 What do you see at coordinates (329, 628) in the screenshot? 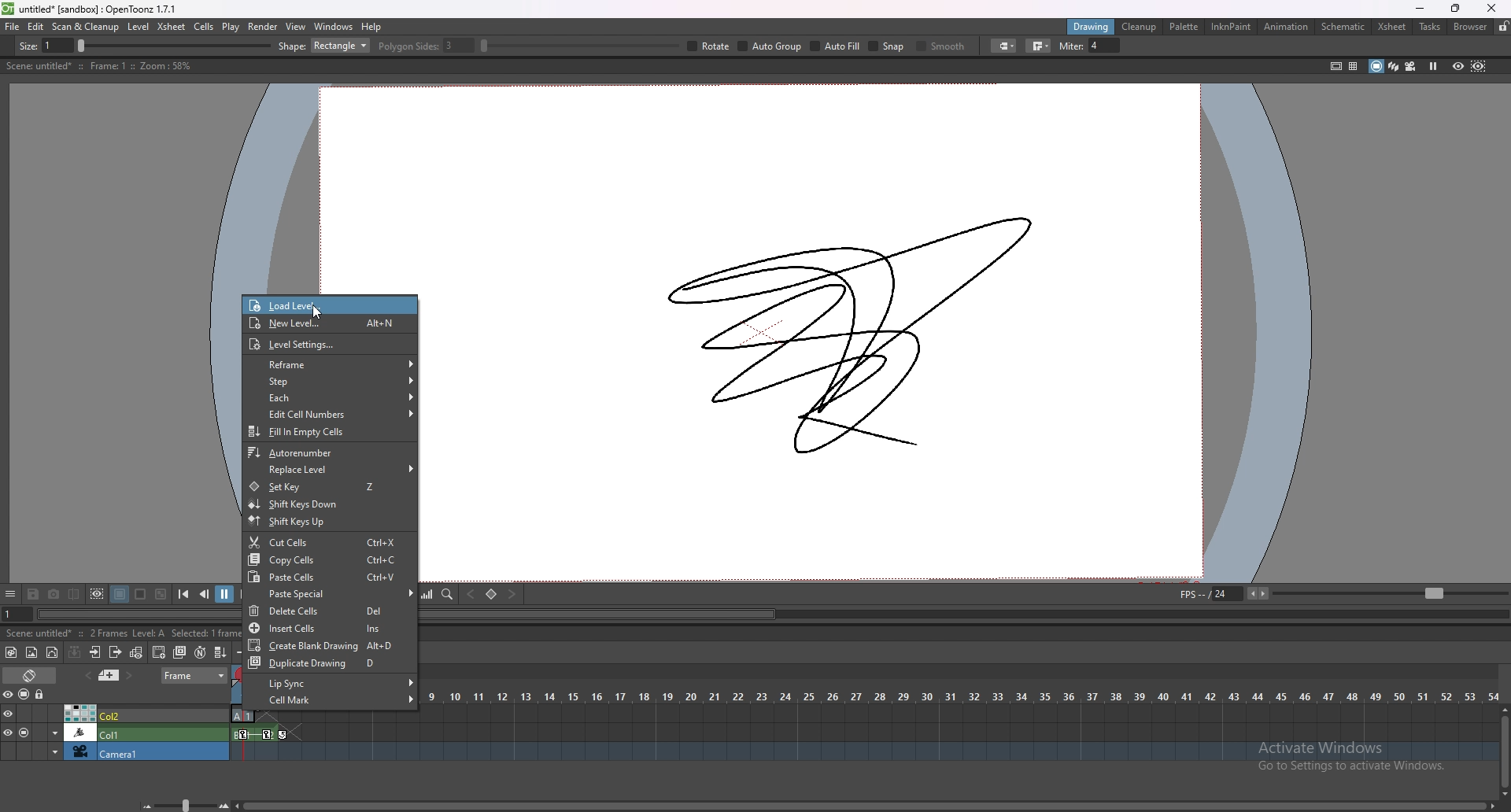
I see `insert cells` at bounding box center [329, 628].